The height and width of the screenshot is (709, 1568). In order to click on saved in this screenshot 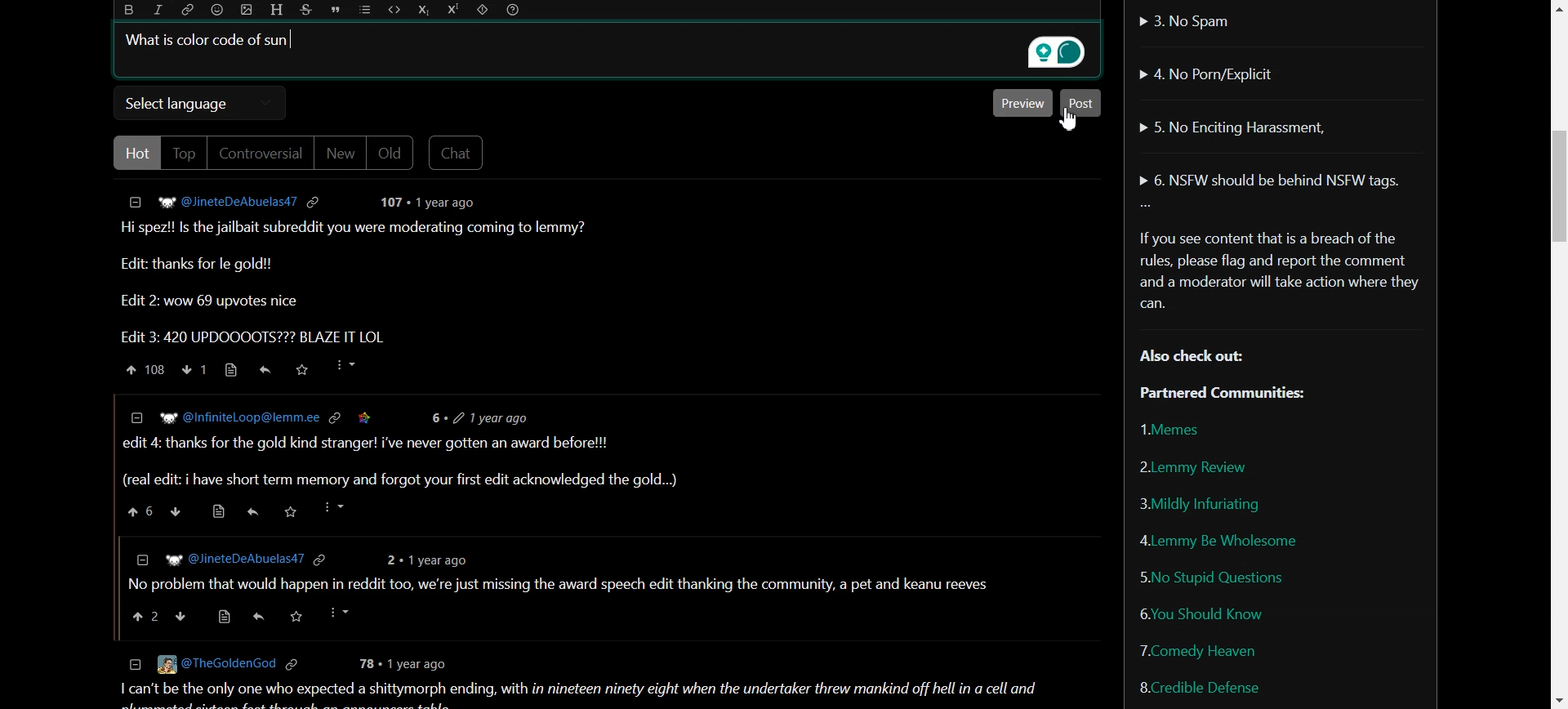, I will do `click(367, 417)`.